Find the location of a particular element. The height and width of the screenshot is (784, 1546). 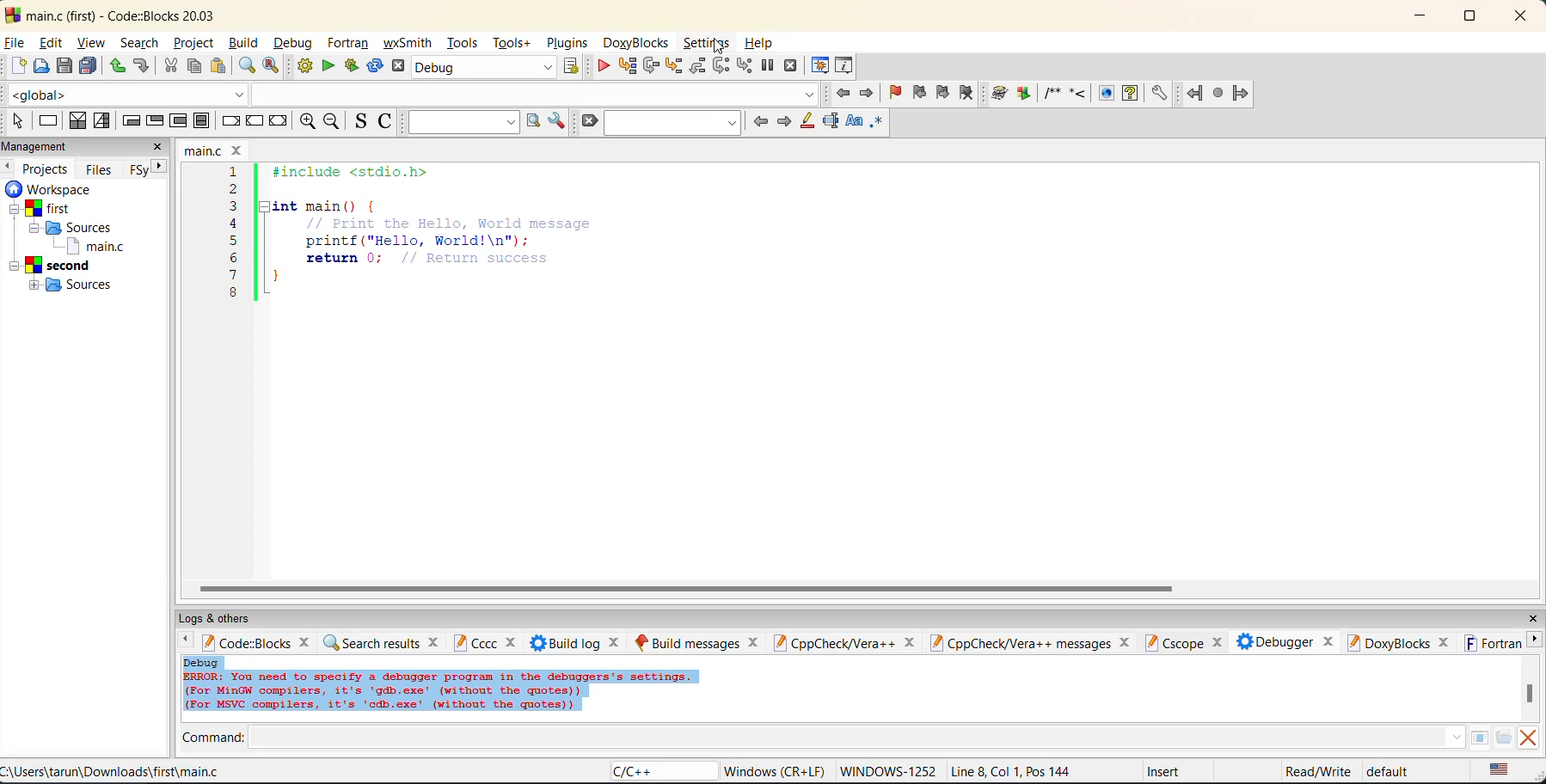

step into instruction is located at coordinates (746, 65).